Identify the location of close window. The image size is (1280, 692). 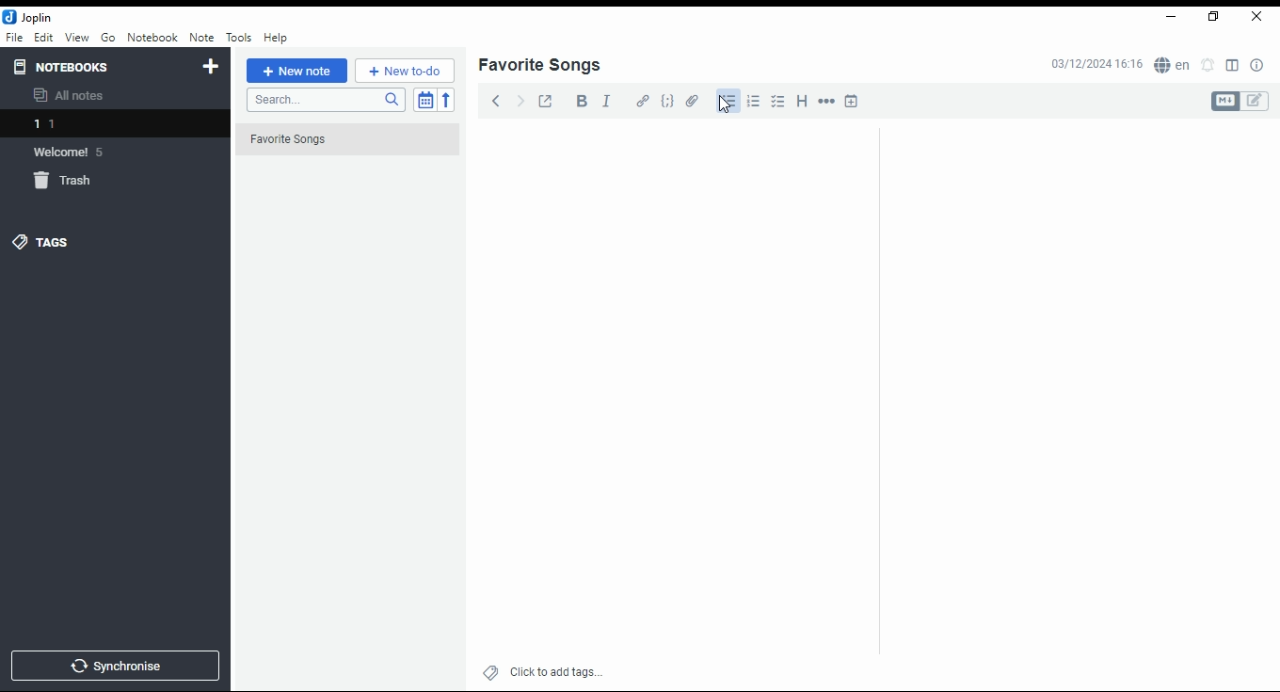
(1258, 17).